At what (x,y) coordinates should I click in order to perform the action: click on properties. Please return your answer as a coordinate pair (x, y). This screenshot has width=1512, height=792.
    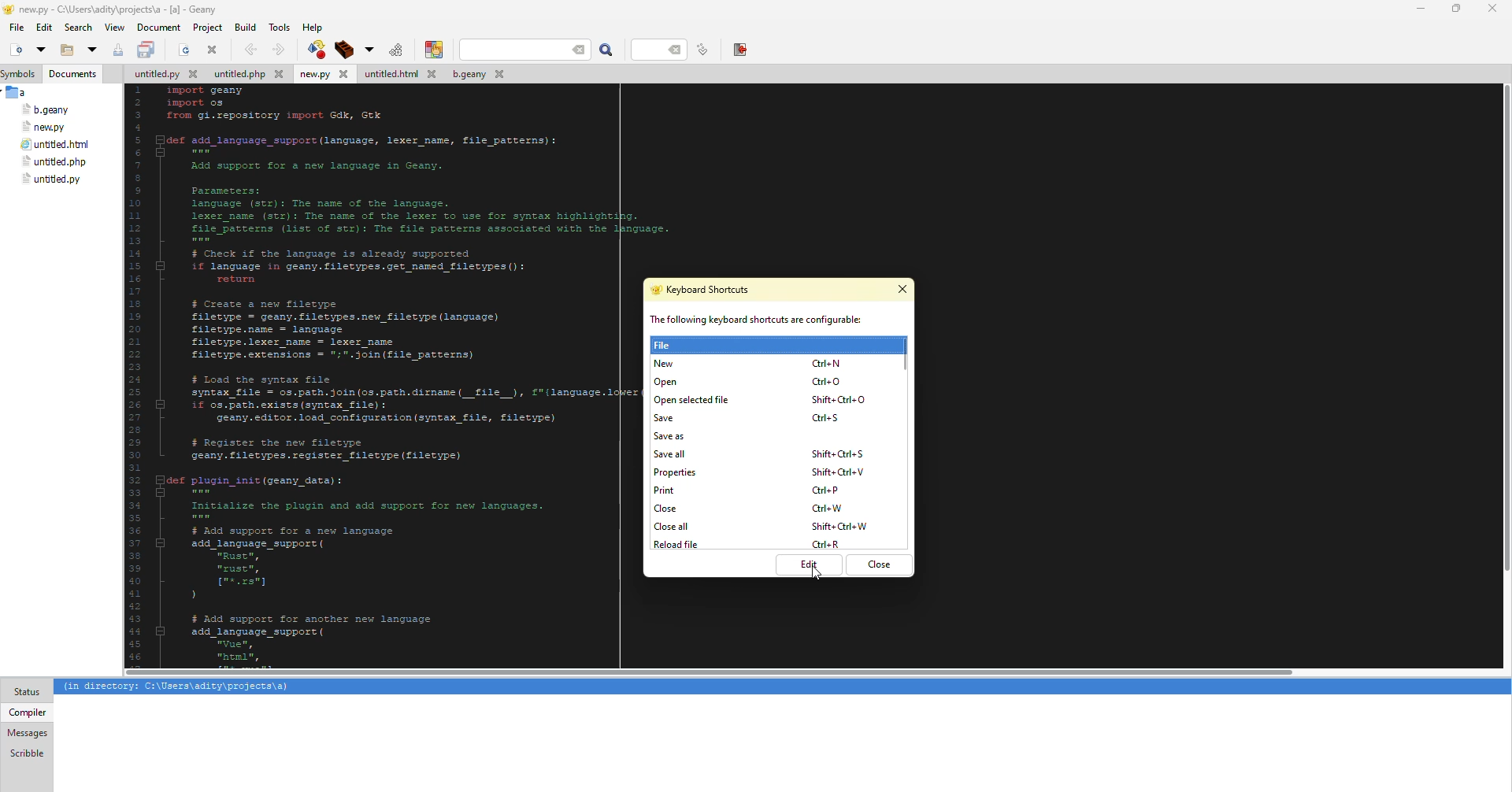
    Looking at the image, I should click on (677, 472).